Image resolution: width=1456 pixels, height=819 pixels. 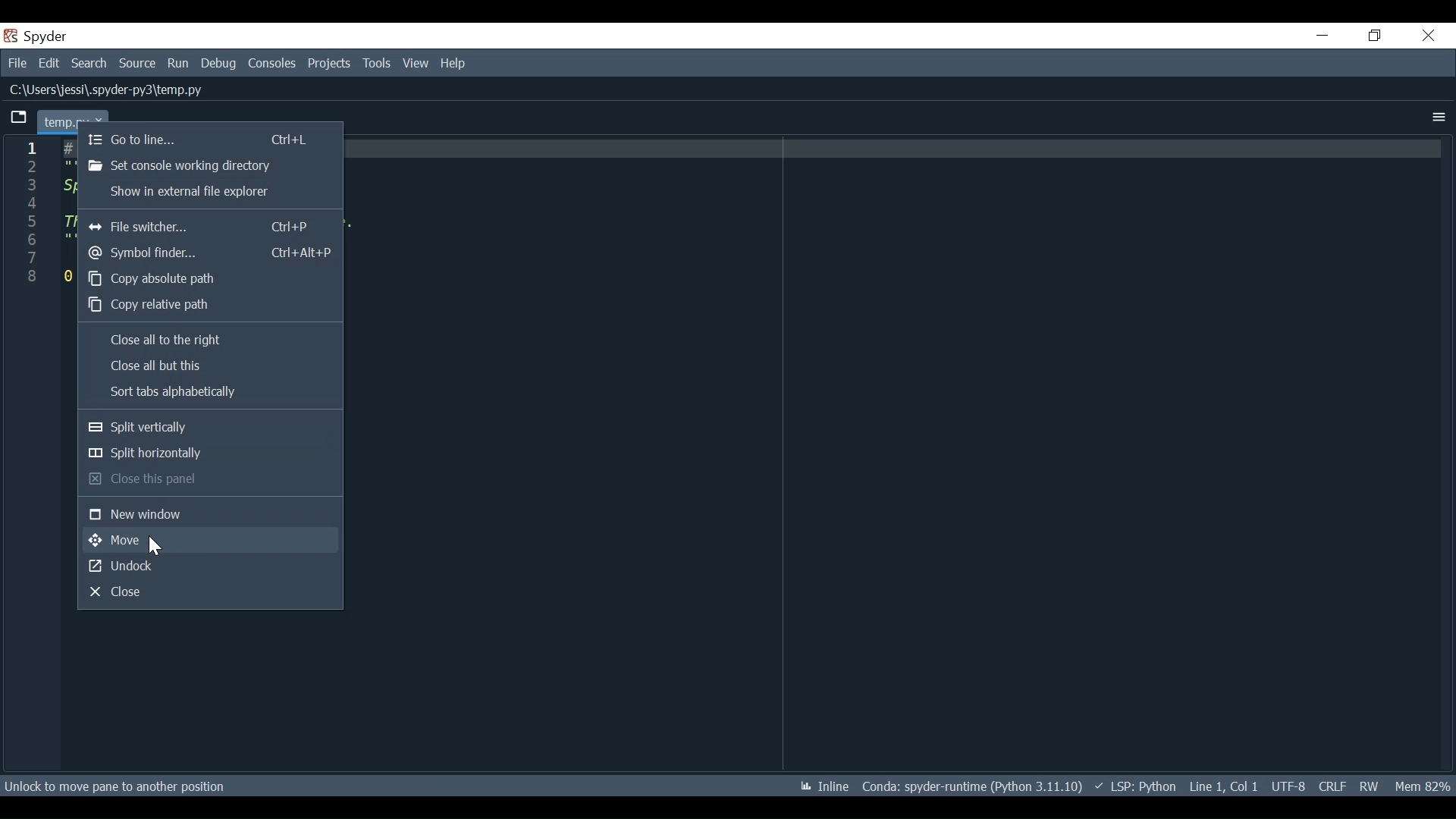 What do you see at coordinates (207, 426) in the screenshot?
I see `Split vertically` at bounding box center [207, 426].